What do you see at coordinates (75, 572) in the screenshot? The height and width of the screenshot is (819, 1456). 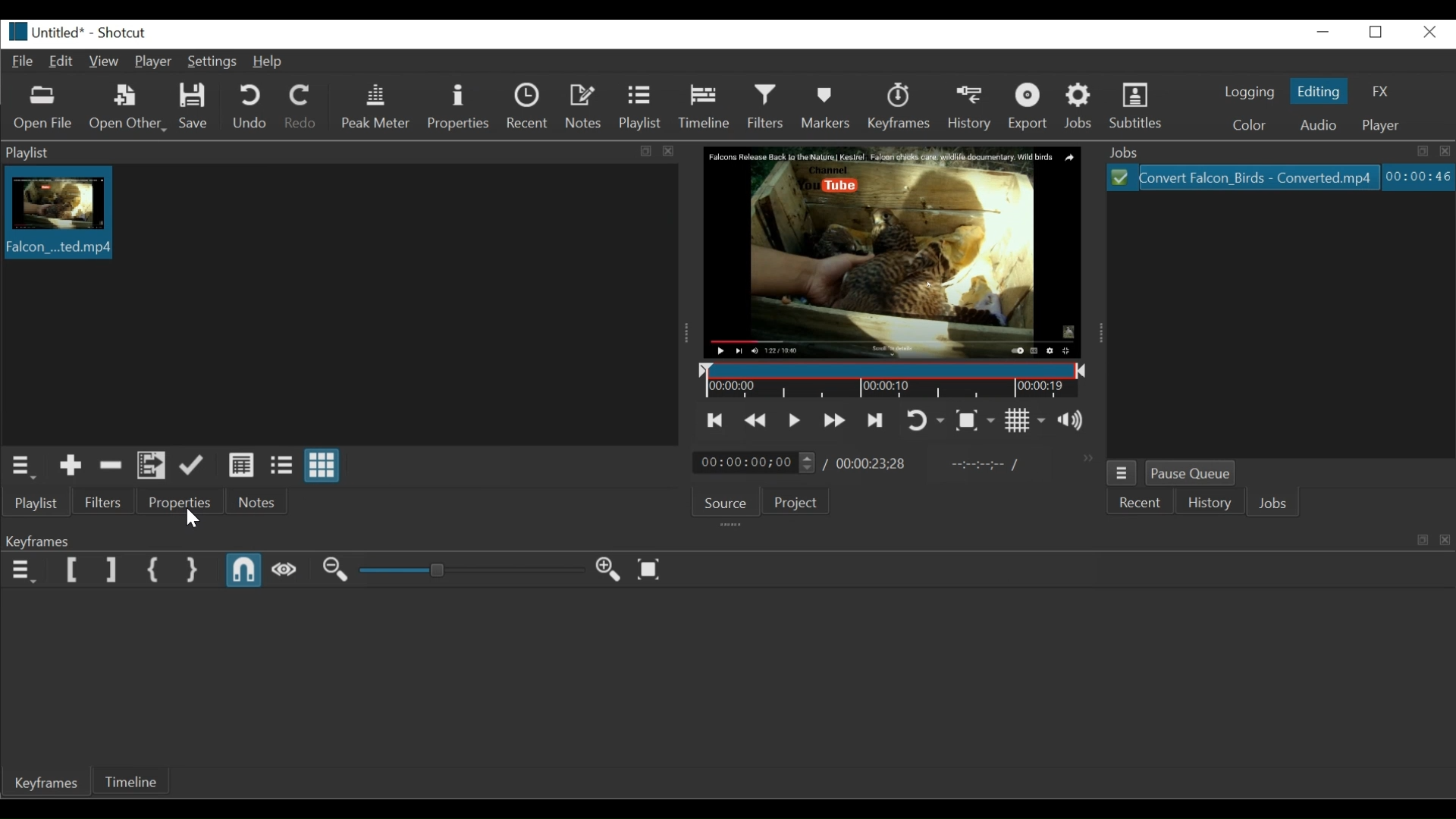 I see `Set Filter first` at bounding box center [75, 572].